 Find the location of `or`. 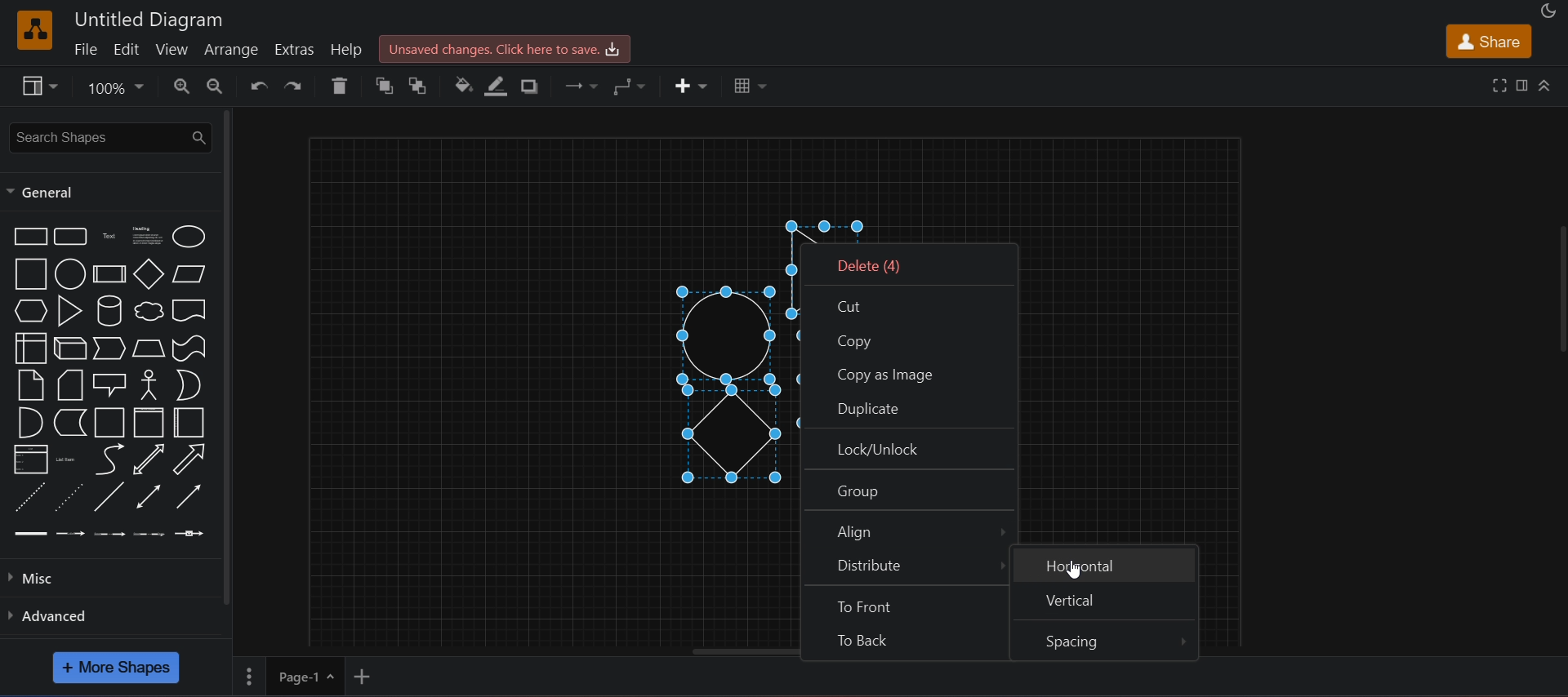

or is located at coordinates (188, 384).